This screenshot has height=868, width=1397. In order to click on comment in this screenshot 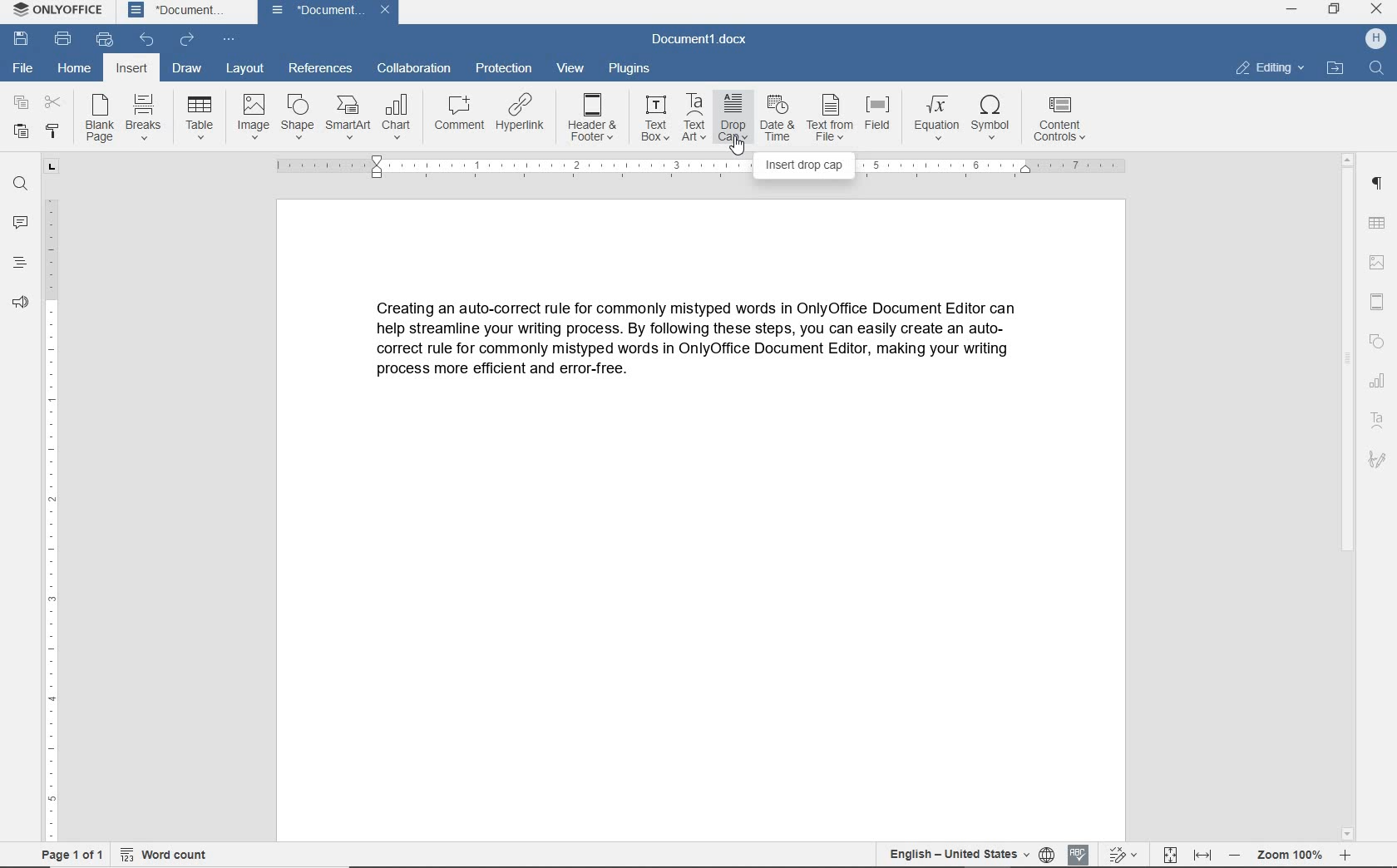, I will do `click(461, 116)`.